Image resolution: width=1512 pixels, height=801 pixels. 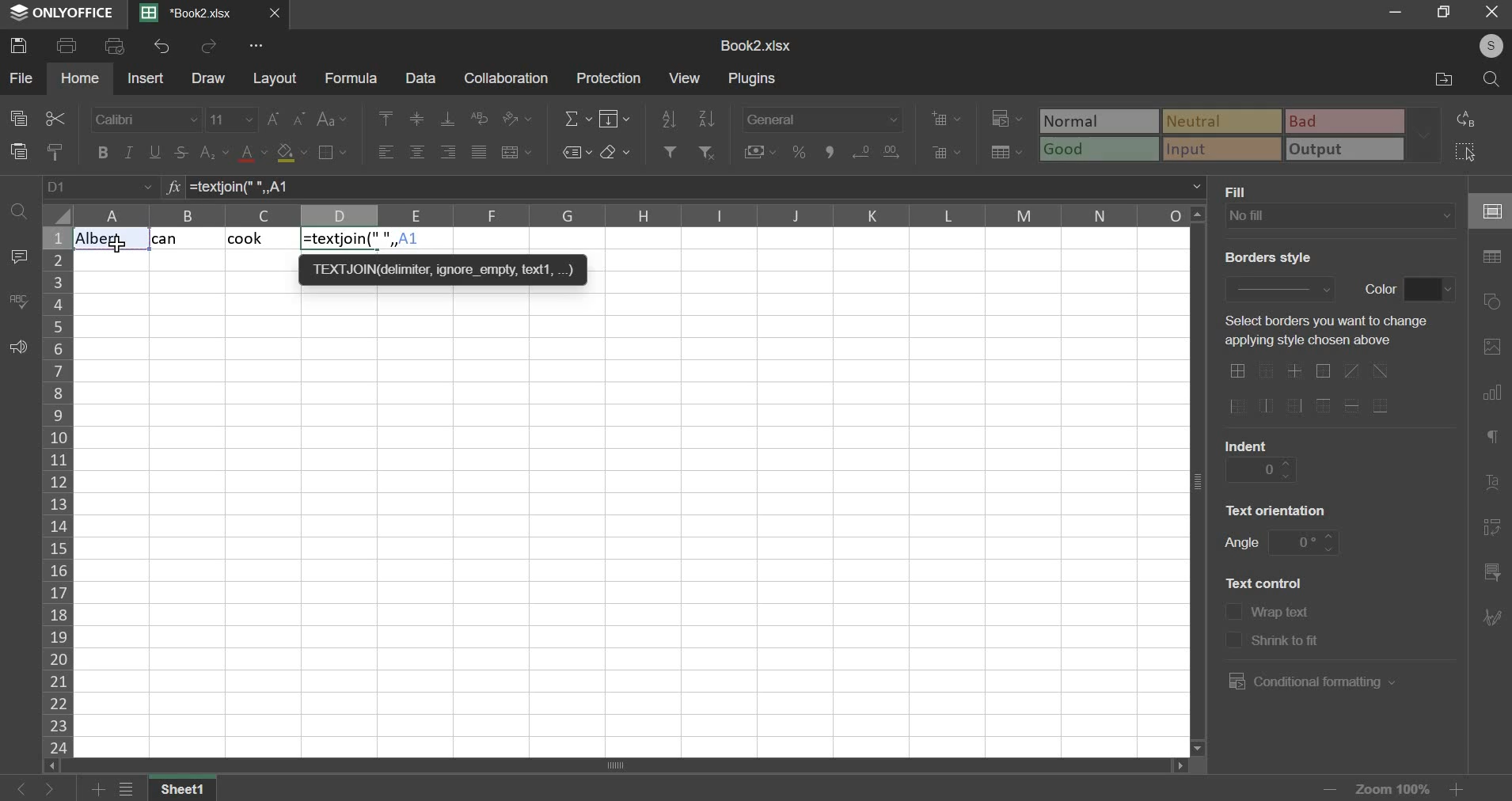 I want to click on copy style, so click(x=56, y=151).